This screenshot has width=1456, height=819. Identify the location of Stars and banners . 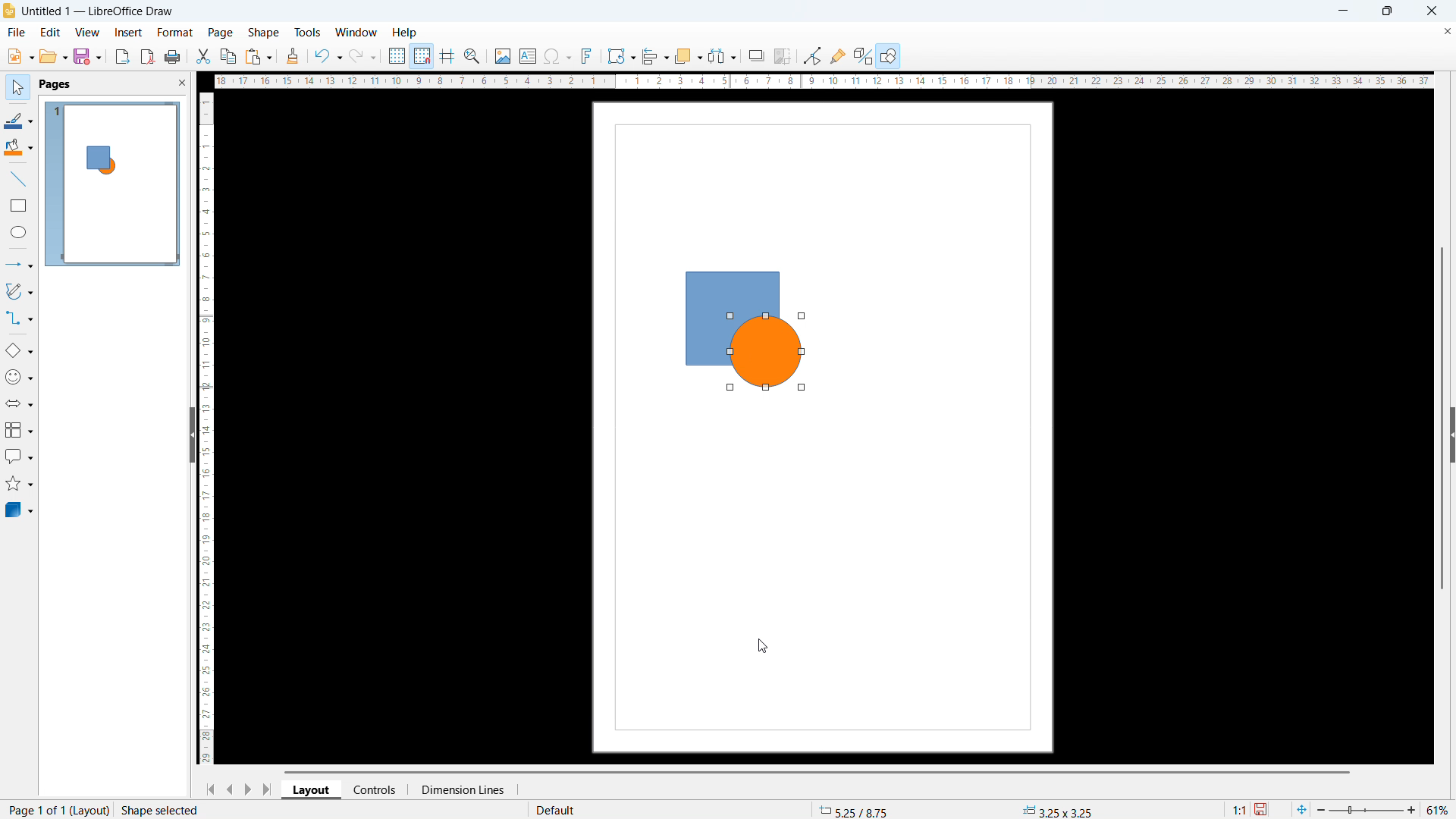
(18, 485).